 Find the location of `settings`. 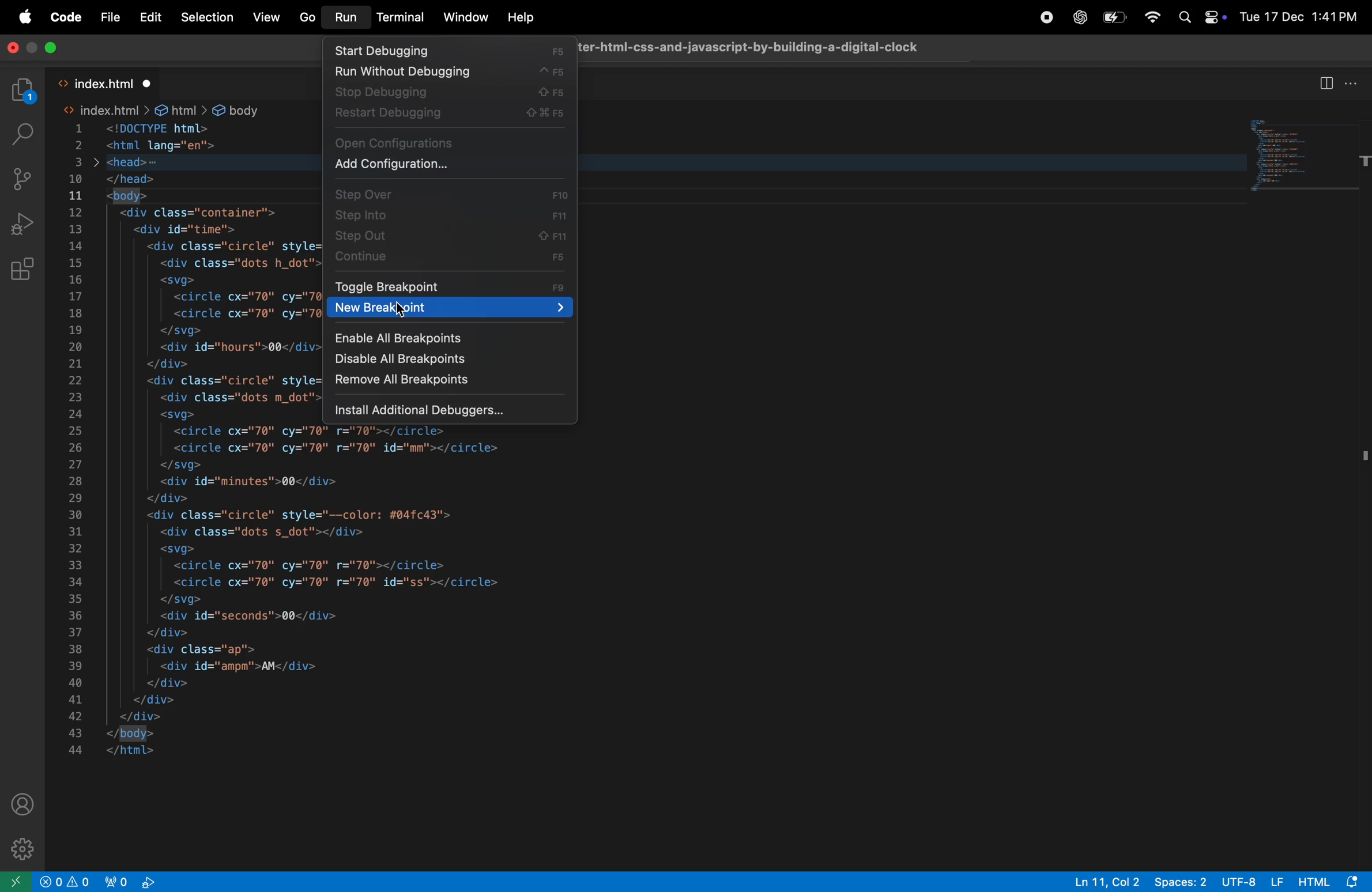

settings is located at coordinates (20, 847).